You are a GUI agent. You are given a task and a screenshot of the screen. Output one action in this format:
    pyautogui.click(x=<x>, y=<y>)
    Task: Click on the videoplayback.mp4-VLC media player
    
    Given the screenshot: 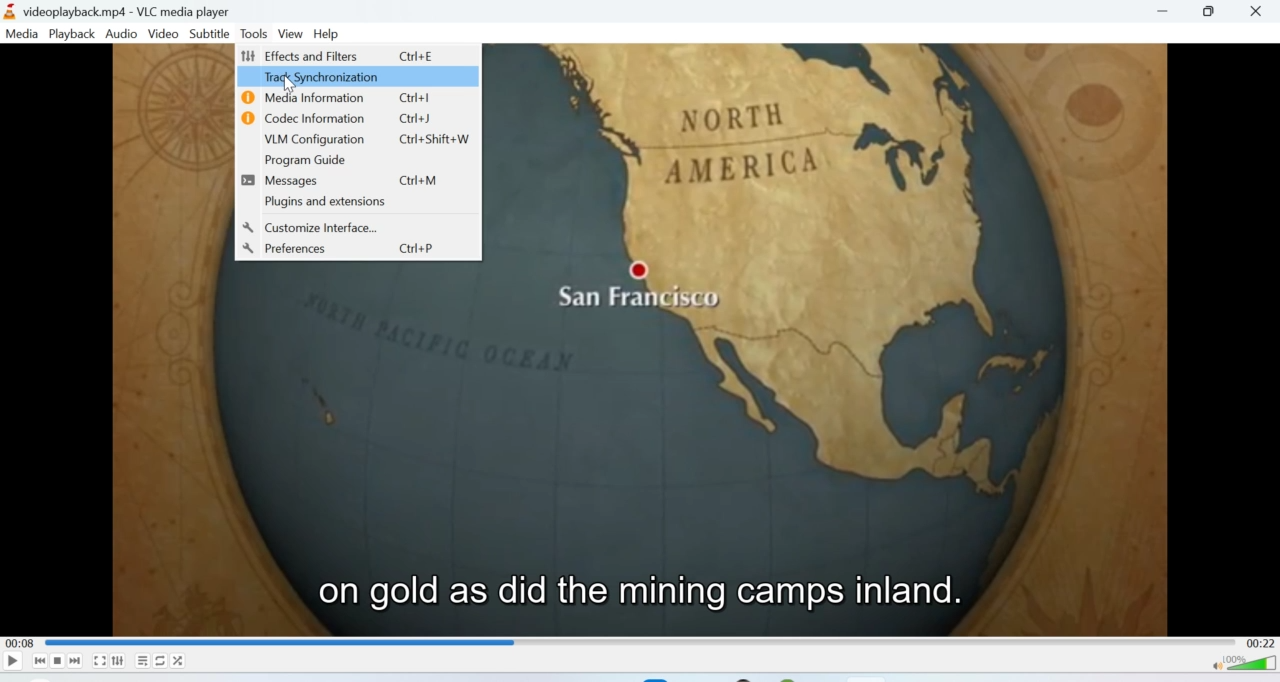 What is the action you would take?
    pyautogui.click(x=120, y=12)
    